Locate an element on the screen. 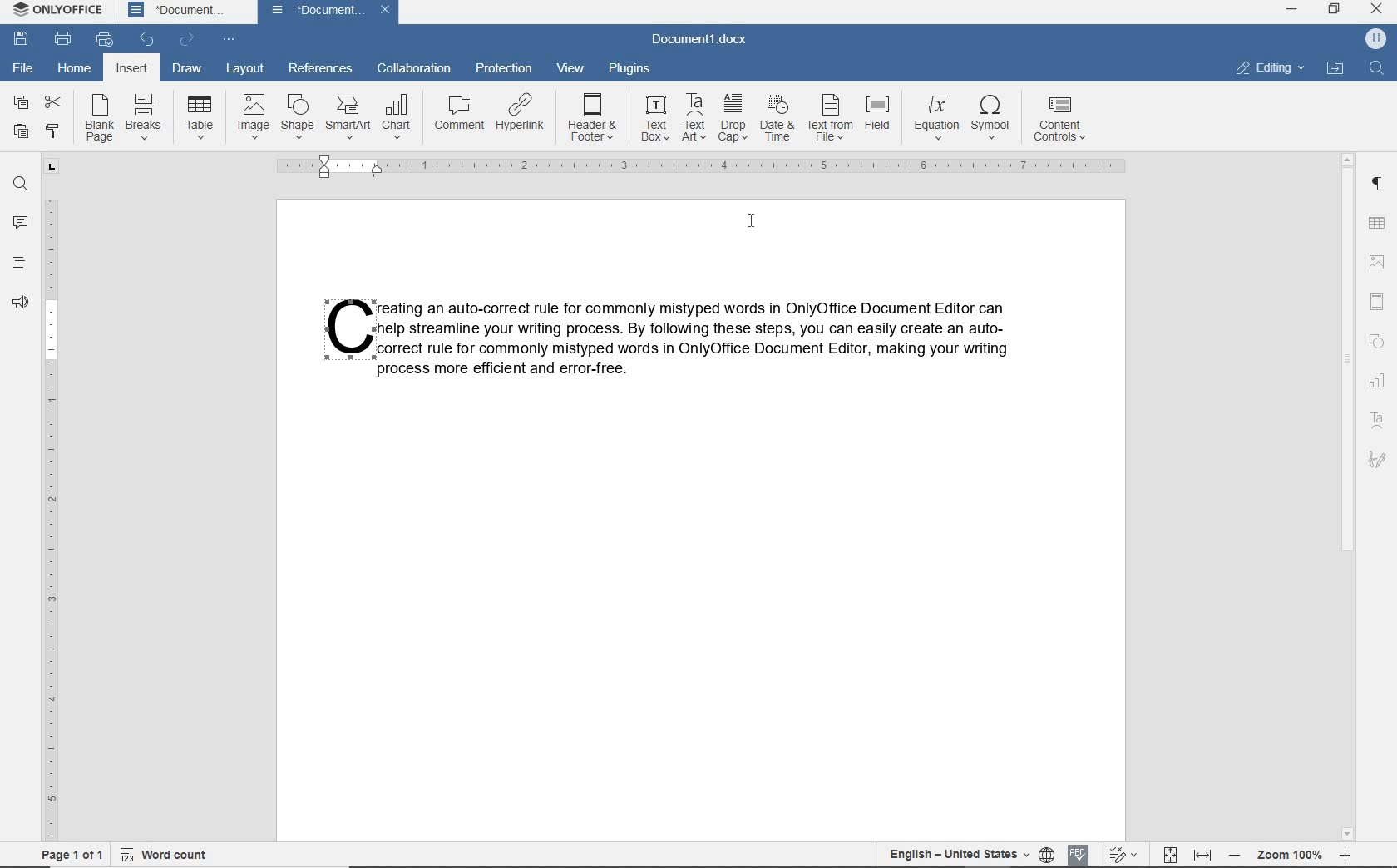 The image size is (1397, 868). open file location is located at coordinates (1335, 67).